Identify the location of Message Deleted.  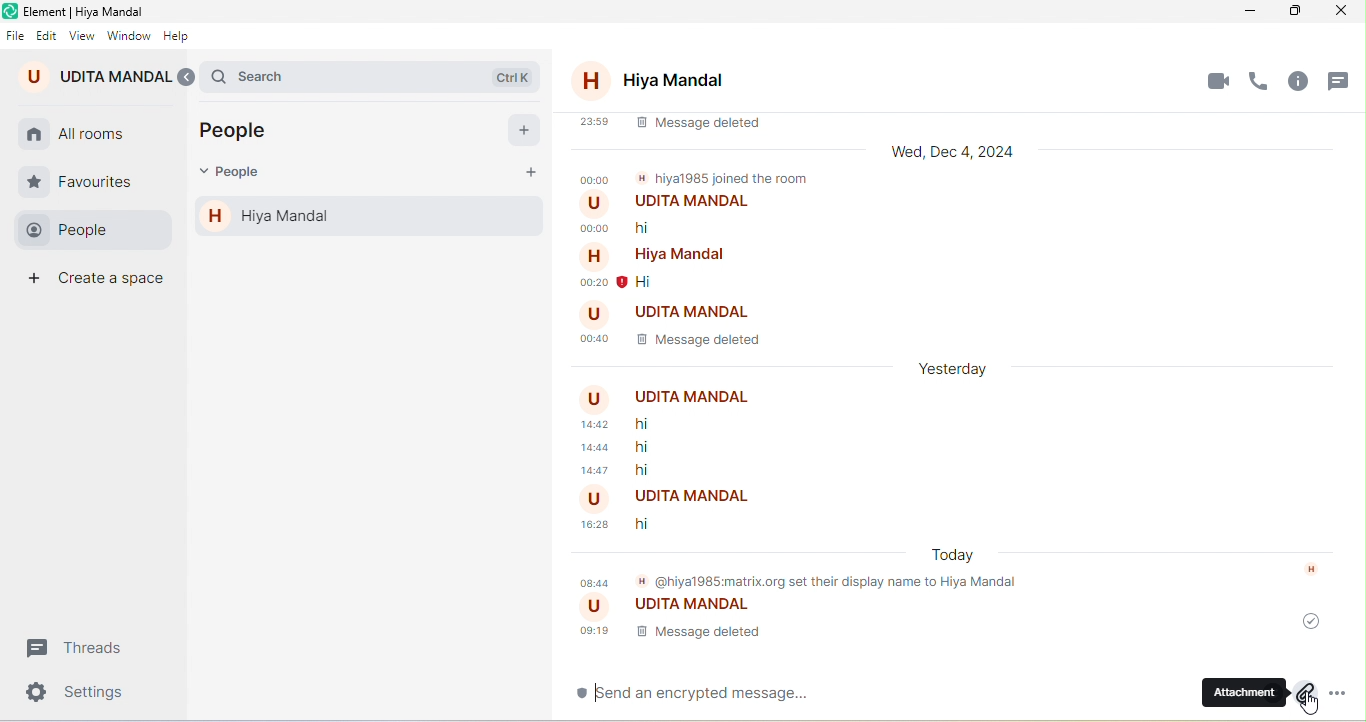
(696, 340).